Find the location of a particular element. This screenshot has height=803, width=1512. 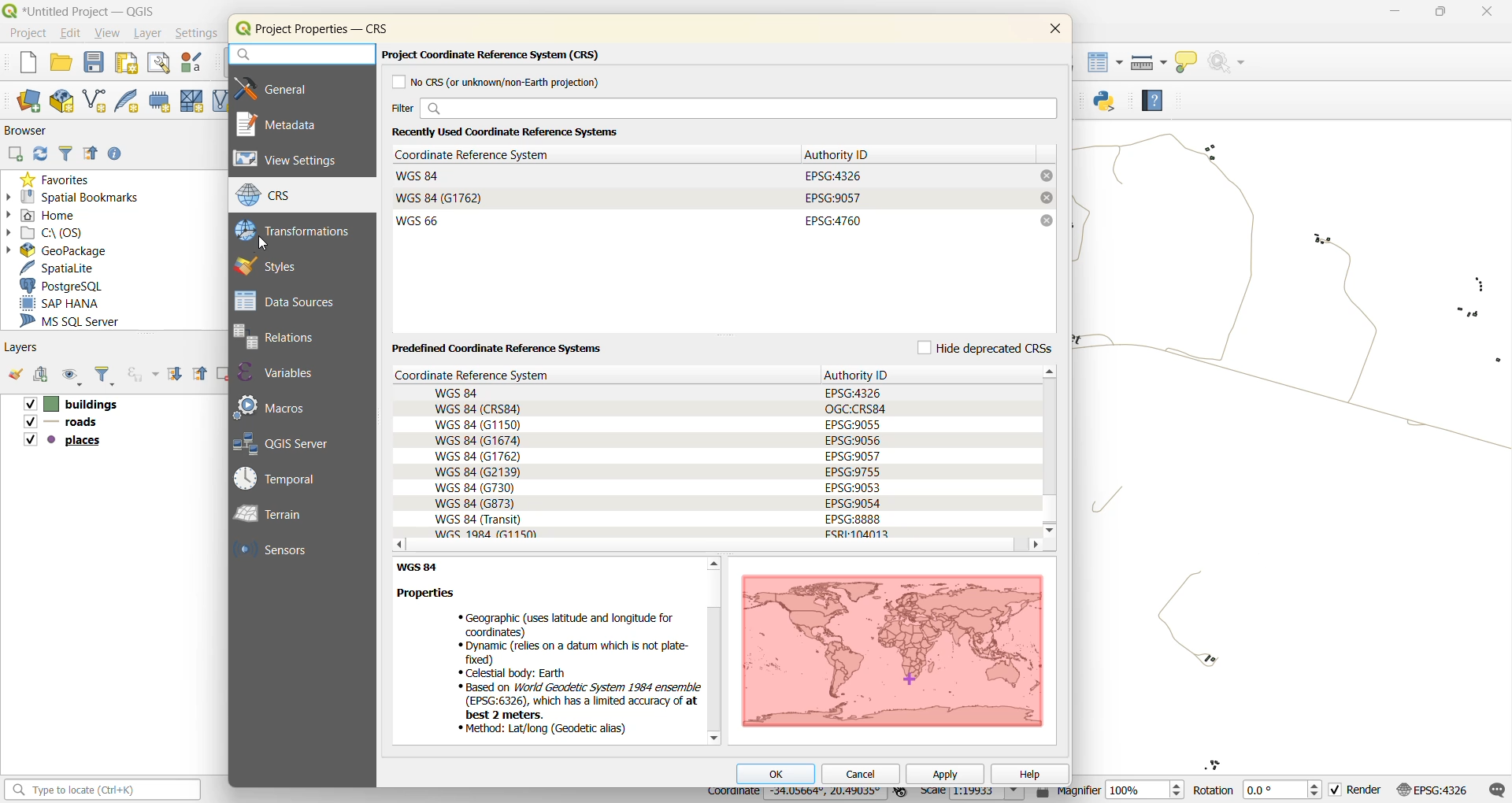

view settings is located at coordinates (294, 161).